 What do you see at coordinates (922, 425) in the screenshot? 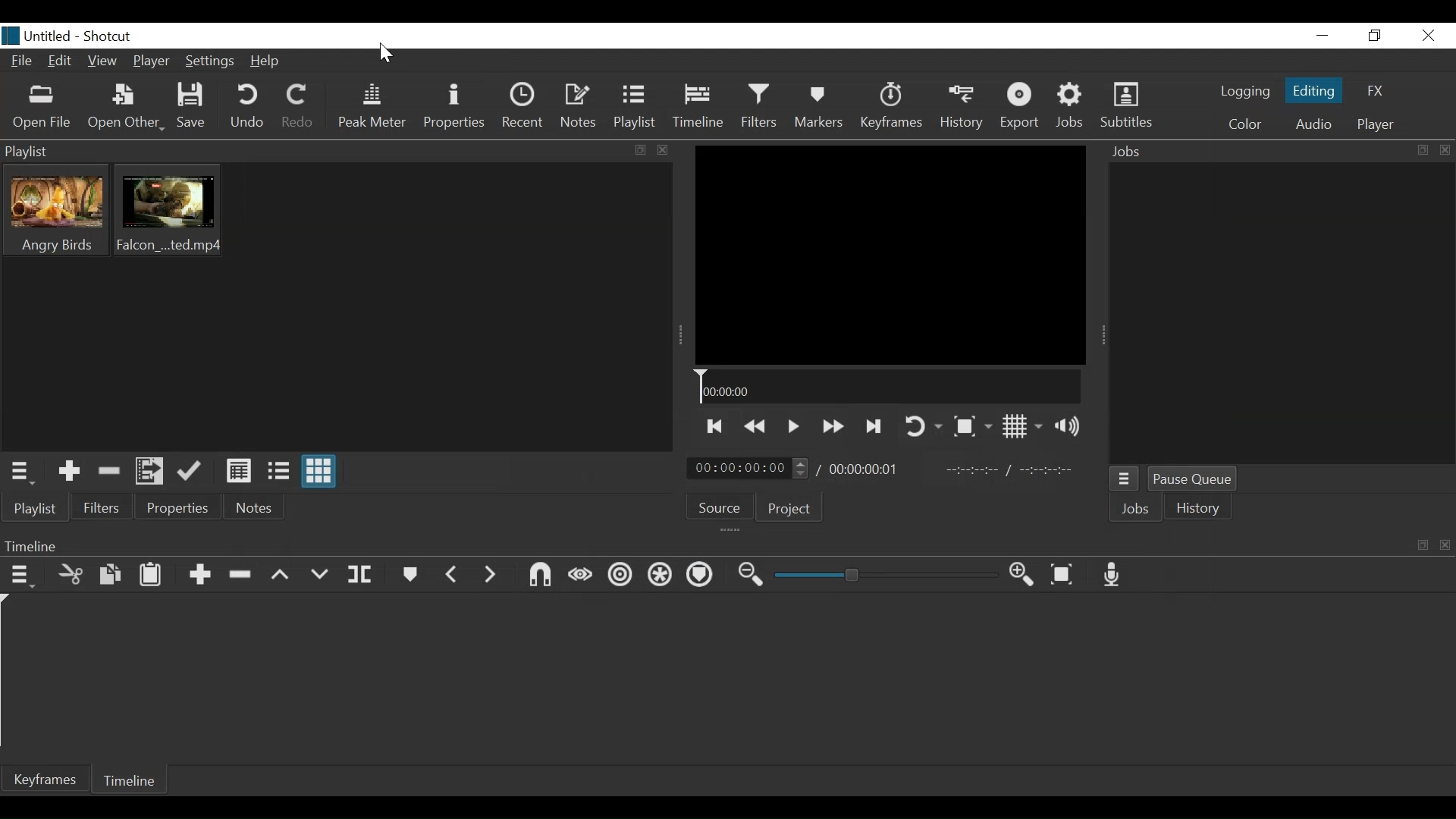
I see `Toggle player looping` at bounding box center [922, 425].